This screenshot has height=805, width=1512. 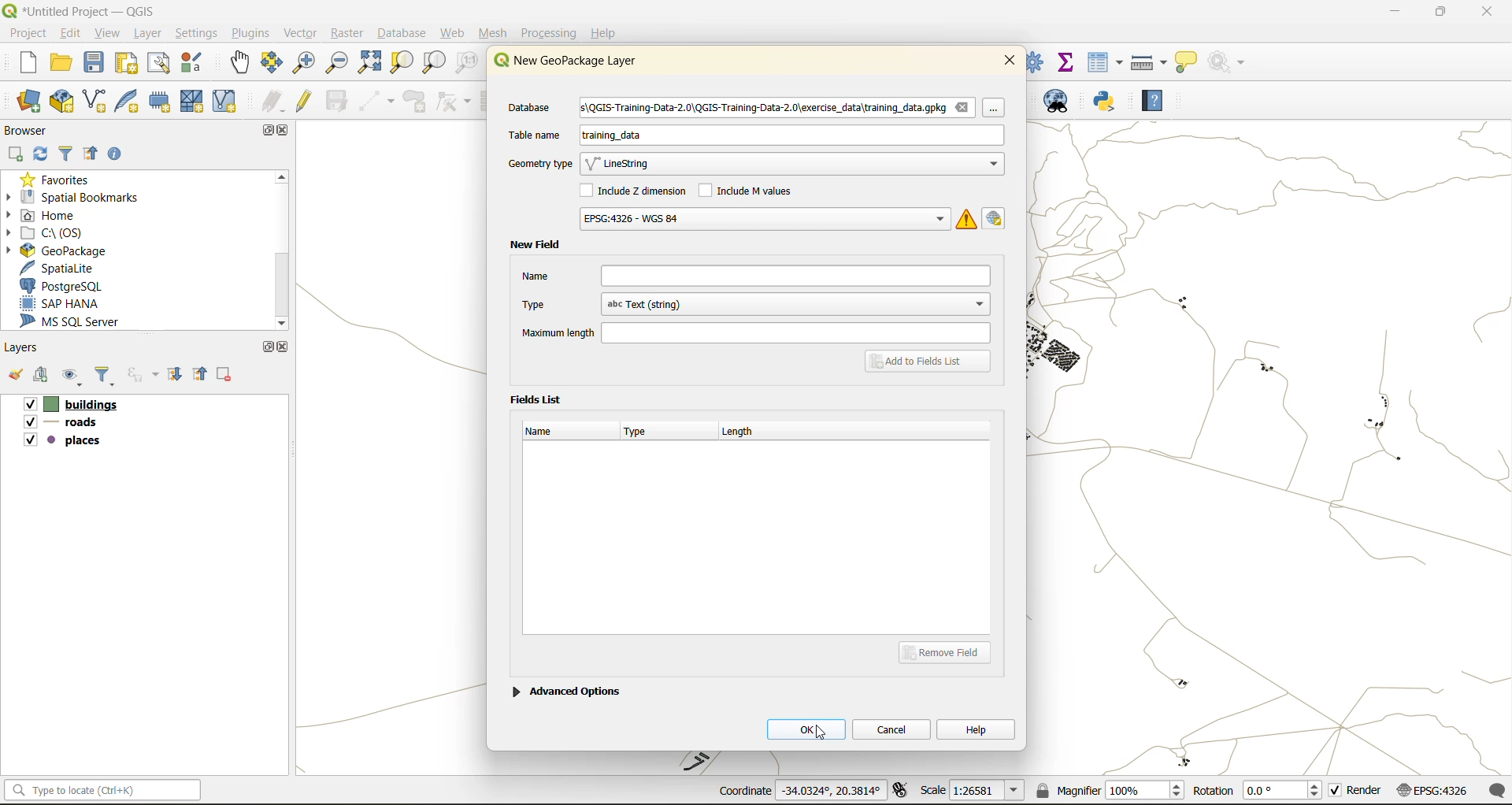 I want to click on Geometry Tye, so click(x=538, y=164).